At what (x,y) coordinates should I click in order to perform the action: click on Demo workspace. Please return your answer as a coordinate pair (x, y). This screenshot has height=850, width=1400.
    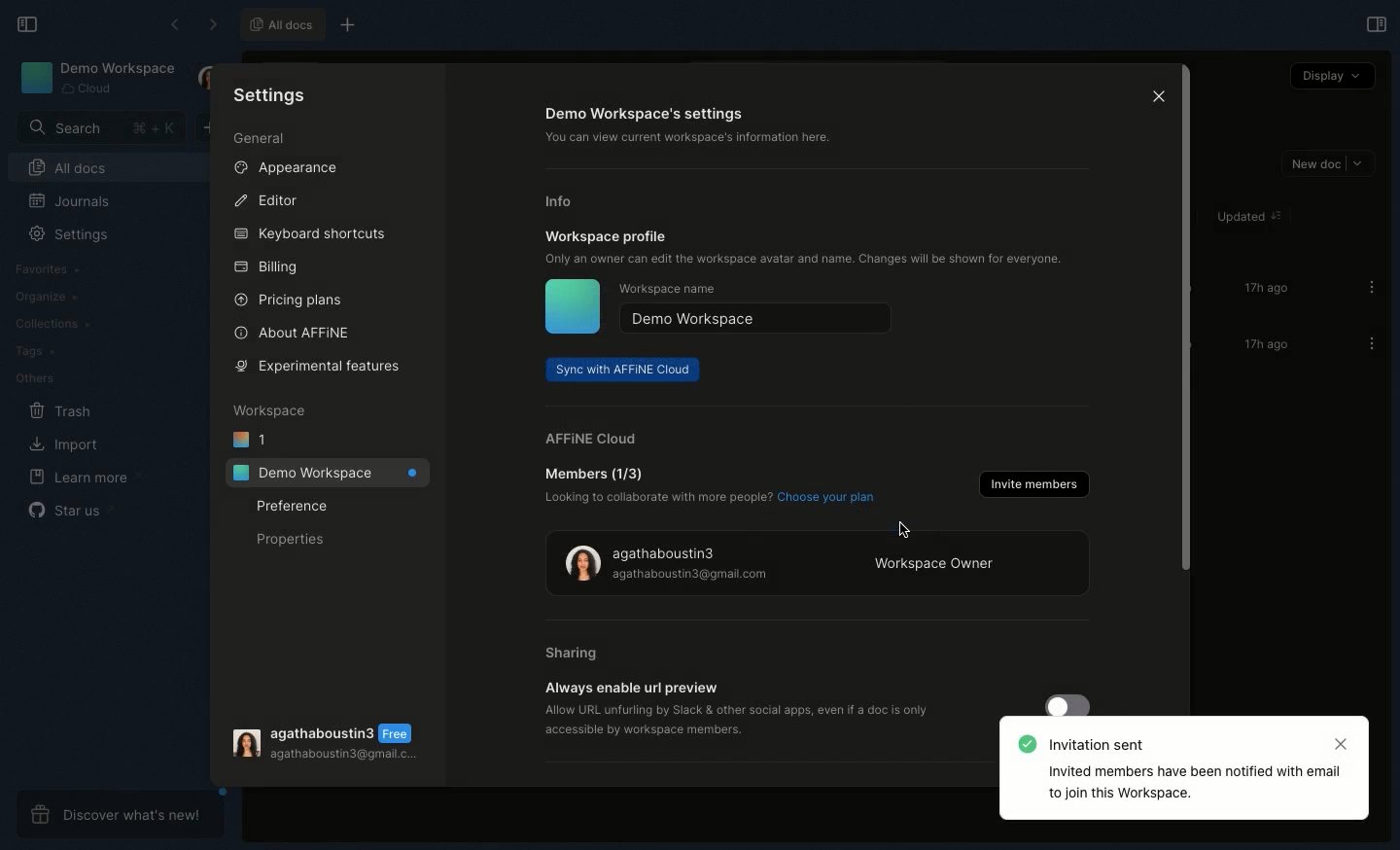
    Looking at the image, I should click on (327, 472).